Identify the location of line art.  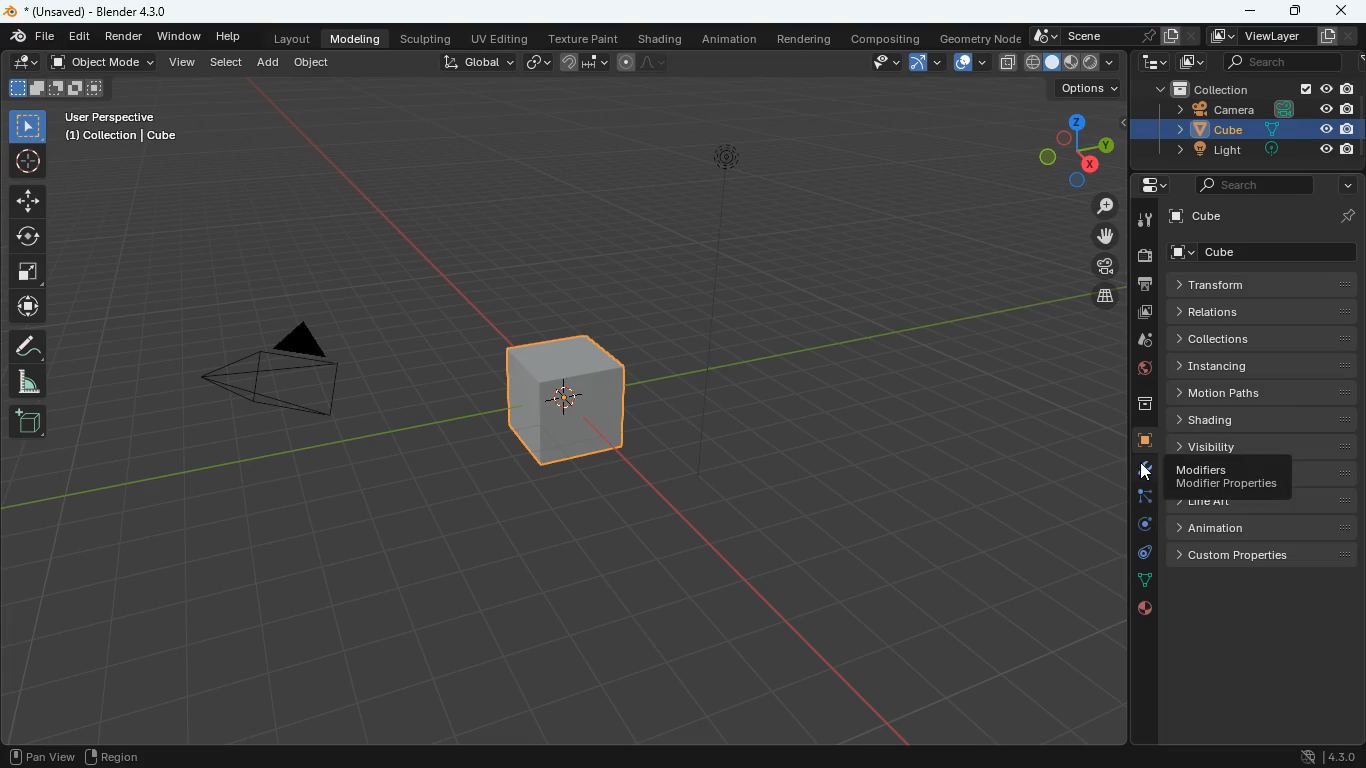
(1252, 503).